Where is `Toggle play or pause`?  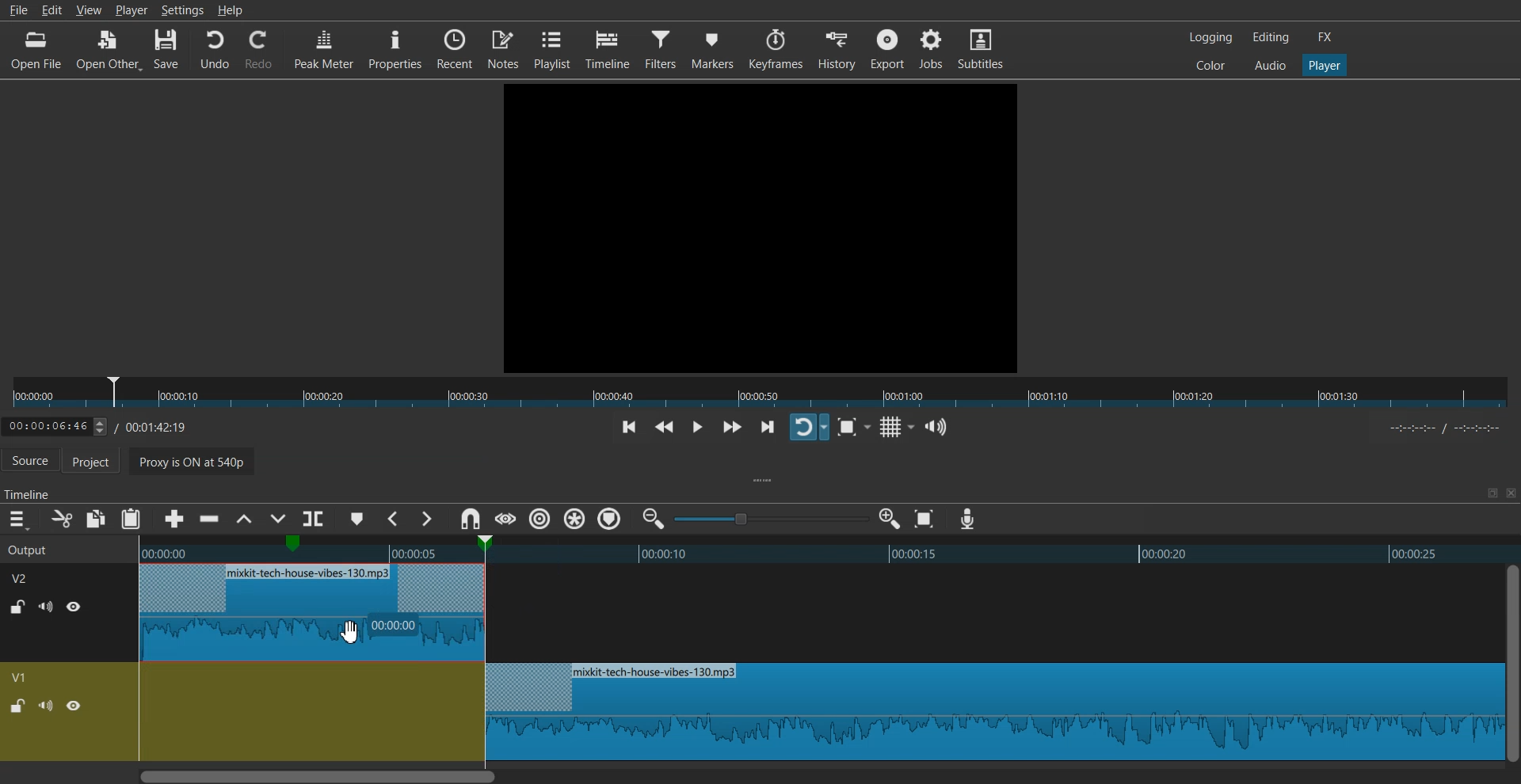
Toggle play or pause is located at coordinates (696, 428).